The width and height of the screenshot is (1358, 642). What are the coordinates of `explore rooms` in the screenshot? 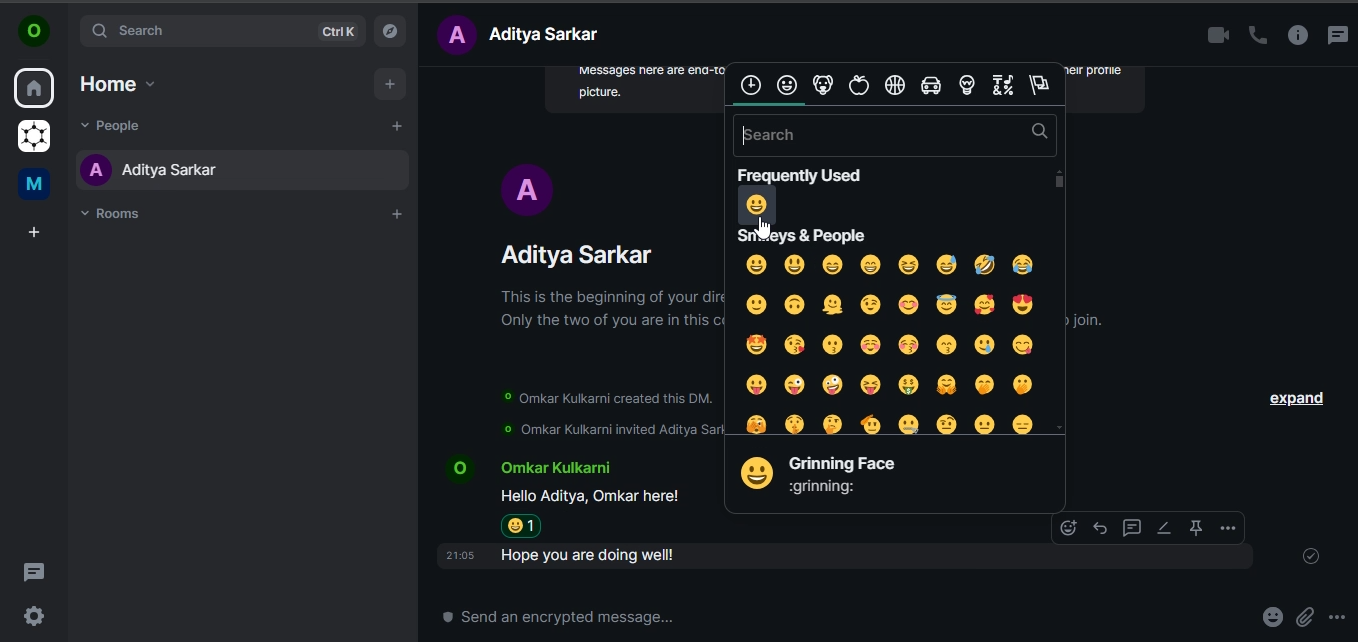 It's located at (390, 30).